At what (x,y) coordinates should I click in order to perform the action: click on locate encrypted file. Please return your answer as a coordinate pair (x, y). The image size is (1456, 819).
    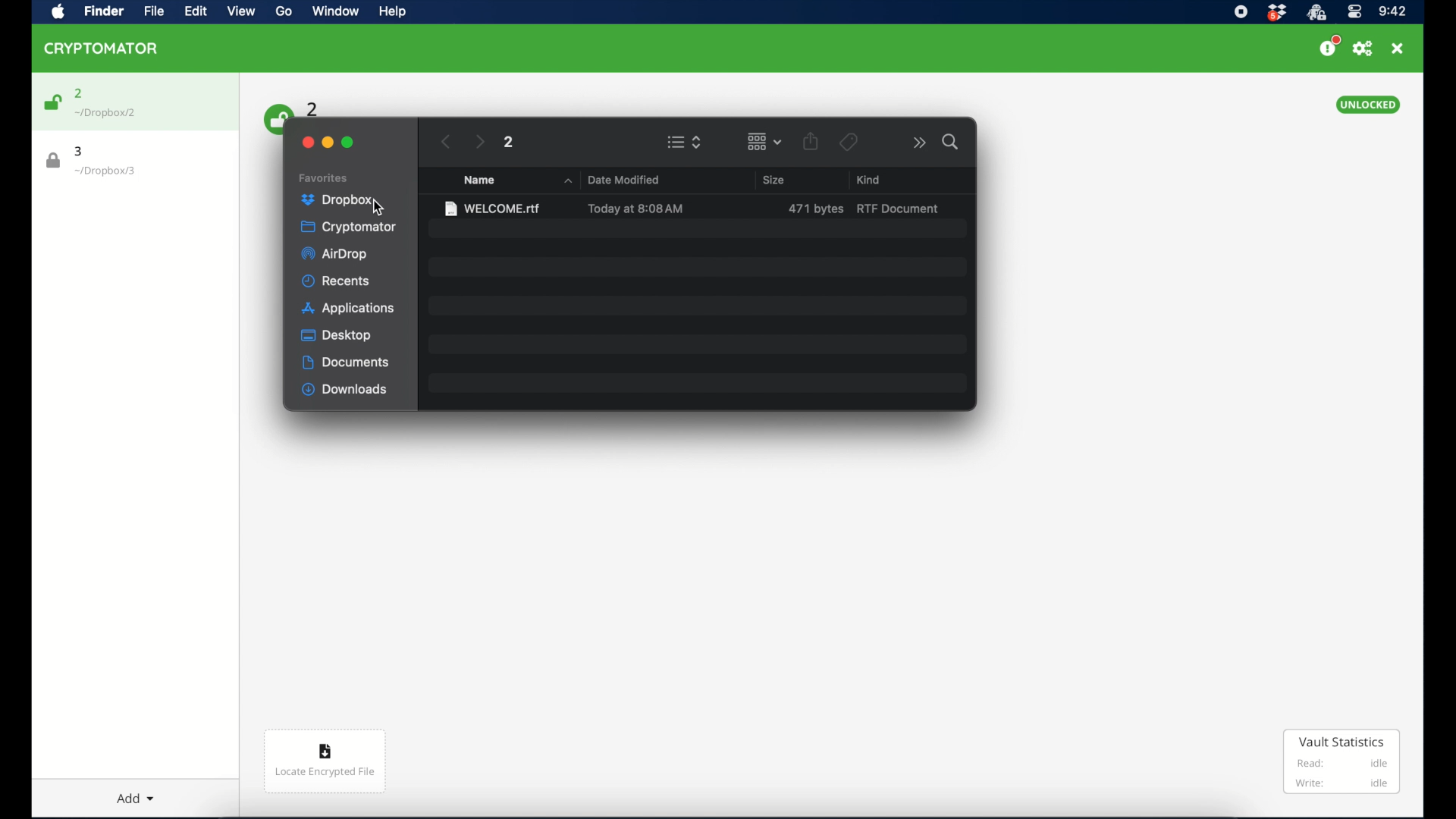
    Looking at the image, I should click on (325, 761).